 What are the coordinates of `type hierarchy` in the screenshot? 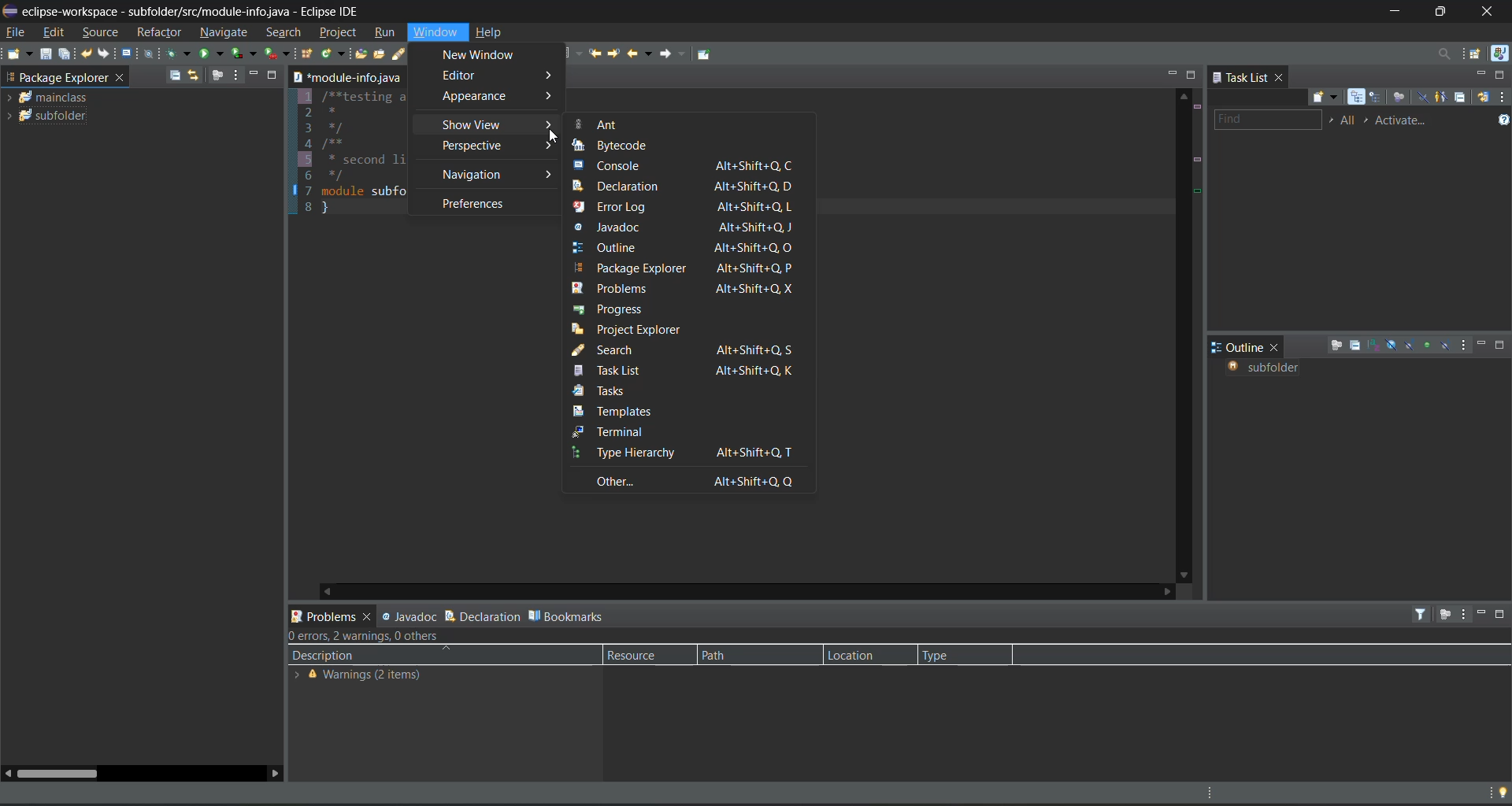 It's located at (687, 453).